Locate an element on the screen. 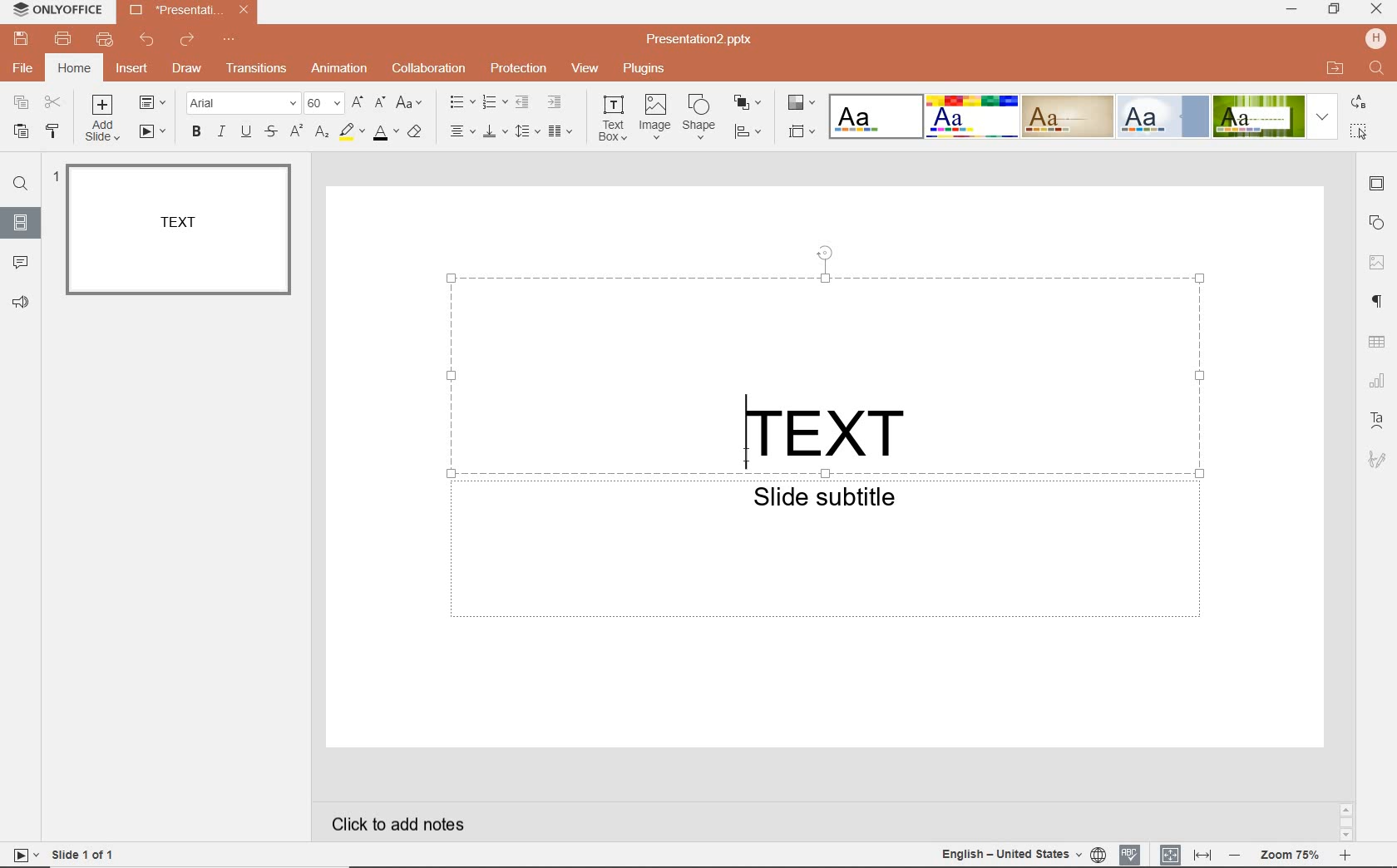 Image resolution: width=1397 pixels, height=868 pixels. SUBSCRIPT is located at coordinates (322, 133).